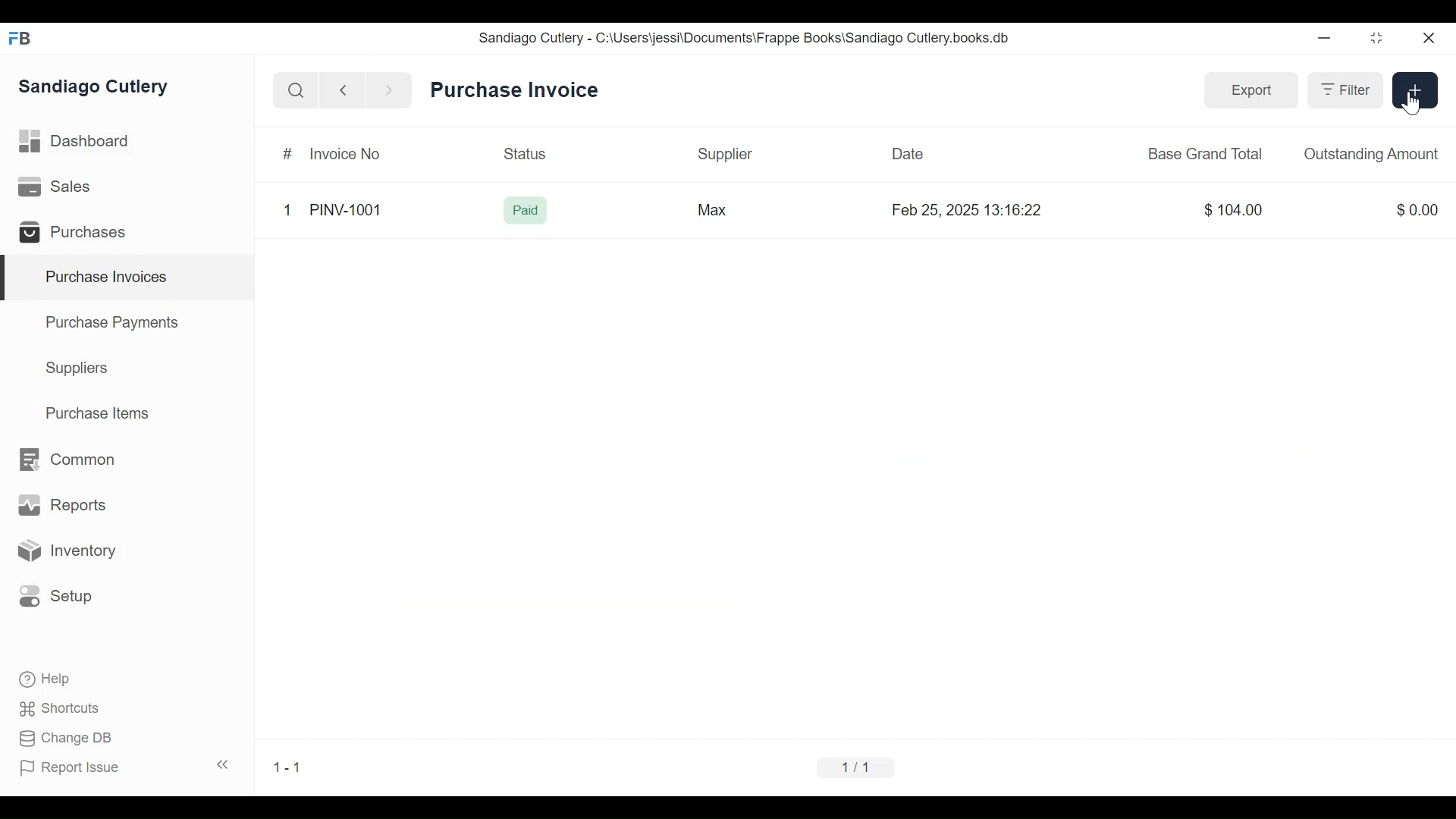  Describe the element at coordinates (288, 209) in the screenshot. I see `1` at that location.